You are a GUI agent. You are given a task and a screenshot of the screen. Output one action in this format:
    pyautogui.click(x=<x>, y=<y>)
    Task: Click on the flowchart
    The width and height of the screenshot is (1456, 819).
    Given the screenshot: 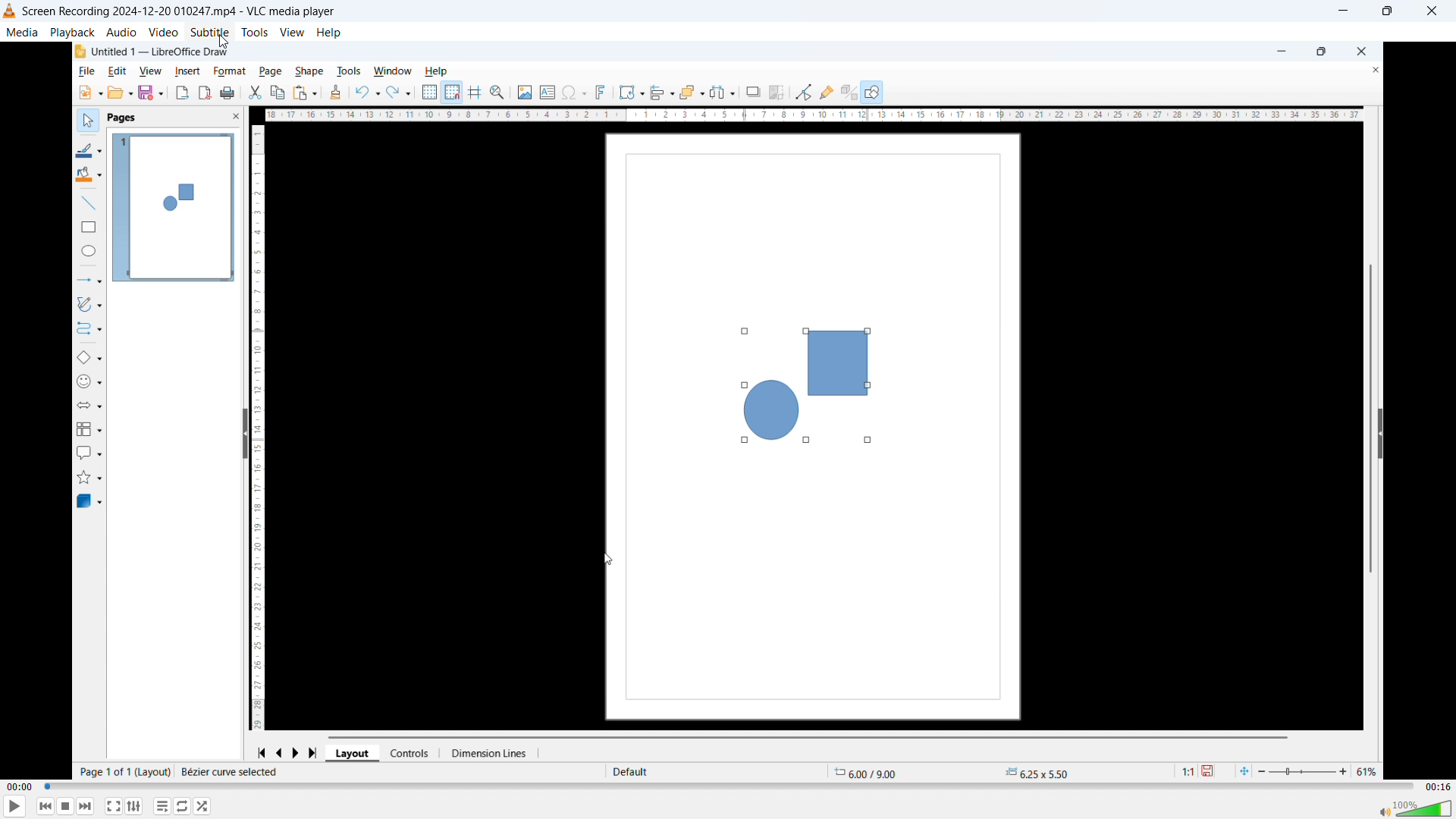 What is the action you would take?
    pyautogui.click(x=89, y=428)
    